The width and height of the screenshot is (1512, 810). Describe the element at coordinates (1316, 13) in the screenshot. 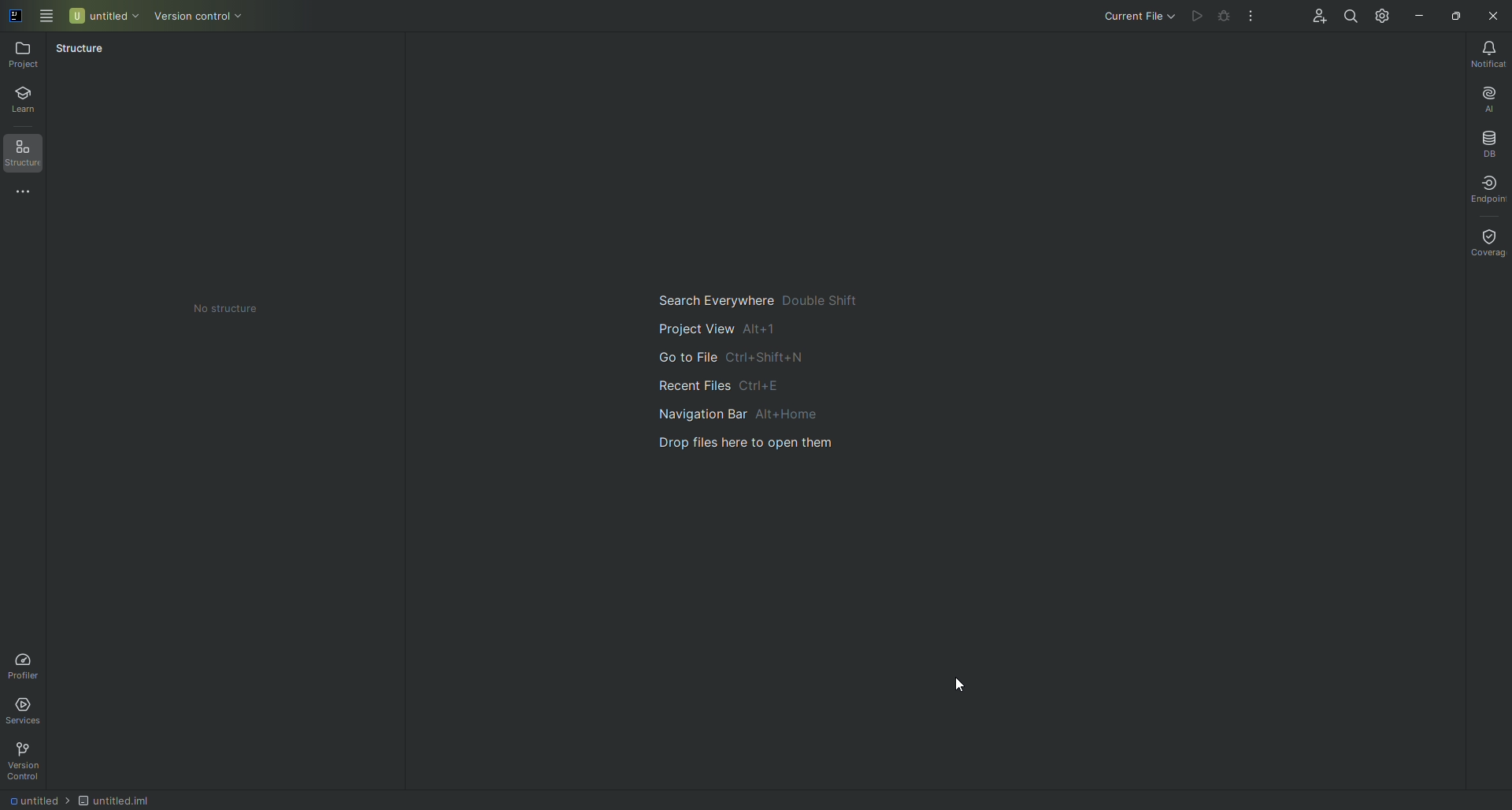

I see `Code With Me` at that location.